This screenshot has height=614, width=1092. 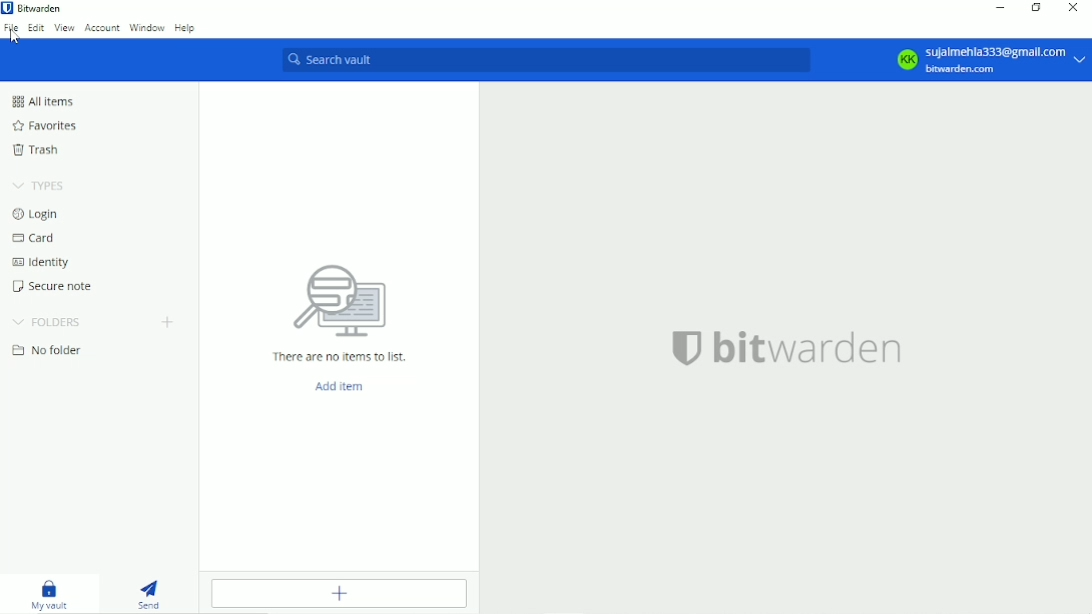 I want to click on Close, so click(x=1074, y=9).